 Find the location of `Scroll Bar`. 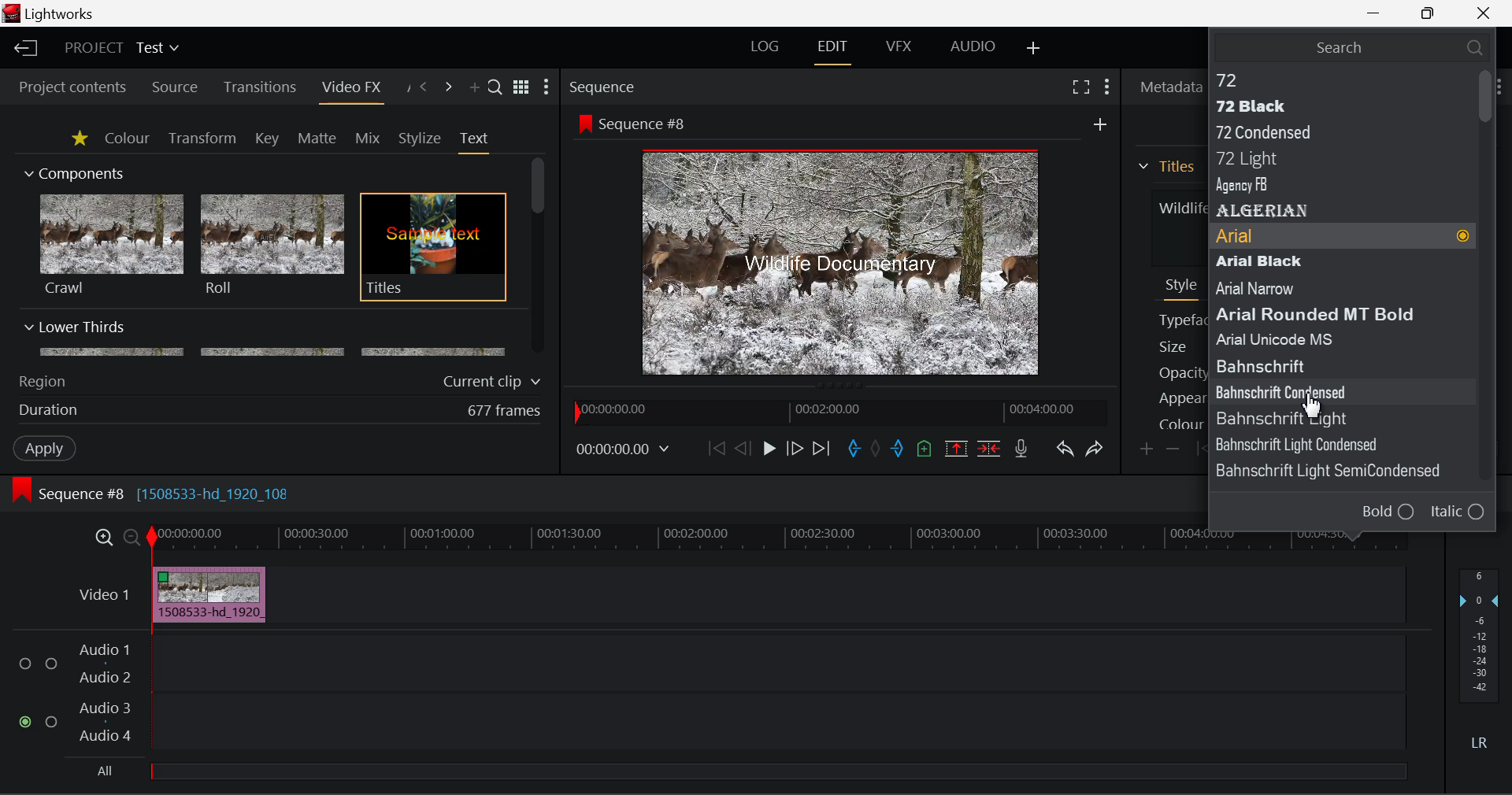

Scroll Bar is located at coordinates (1488, 289).